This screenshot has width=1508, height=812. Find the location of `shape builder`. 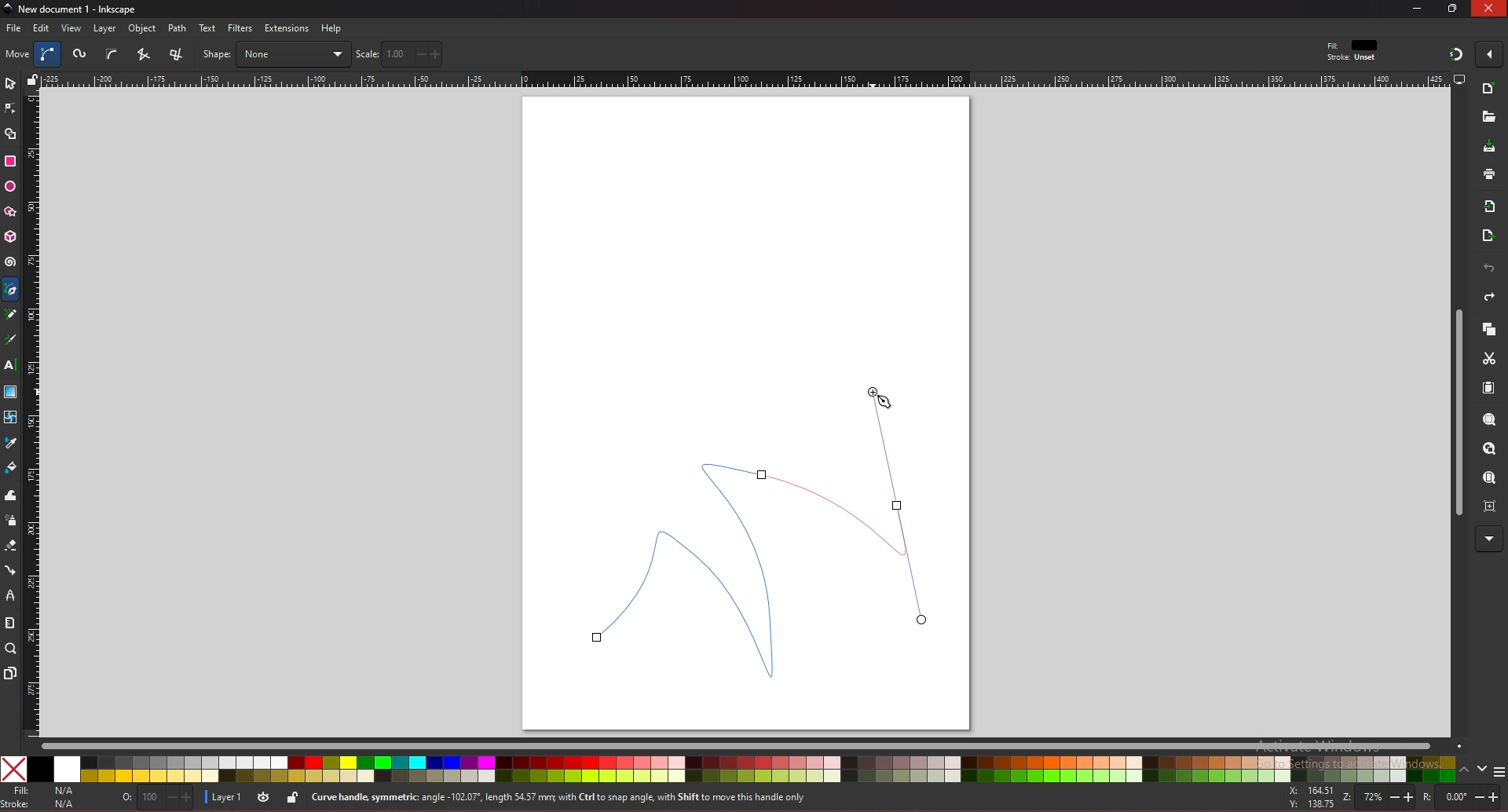

shape builder is located at coordinates (11, 134).